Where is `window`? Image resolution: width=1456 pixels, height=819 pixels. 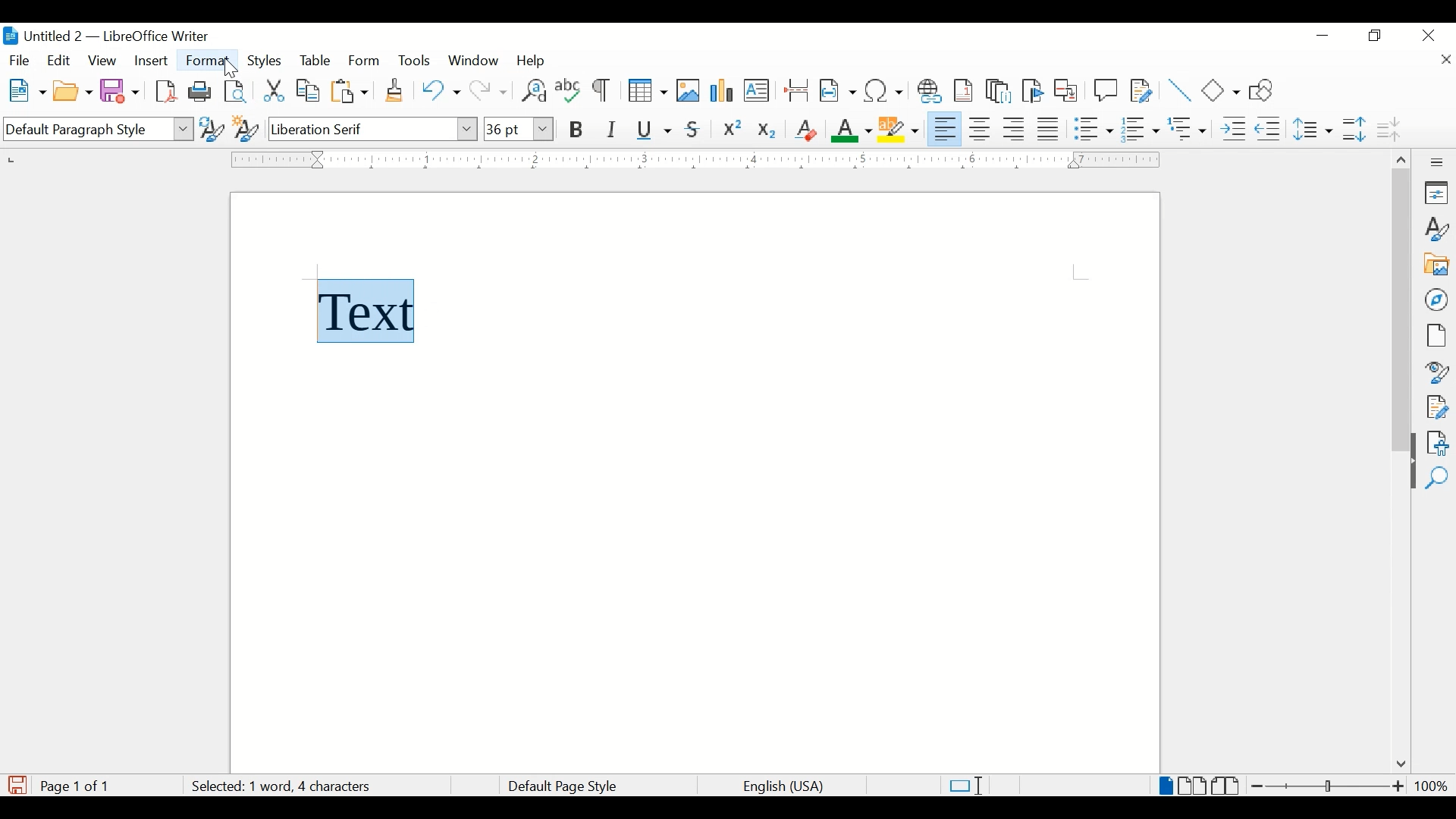 window is located at coordinates (475, 61).